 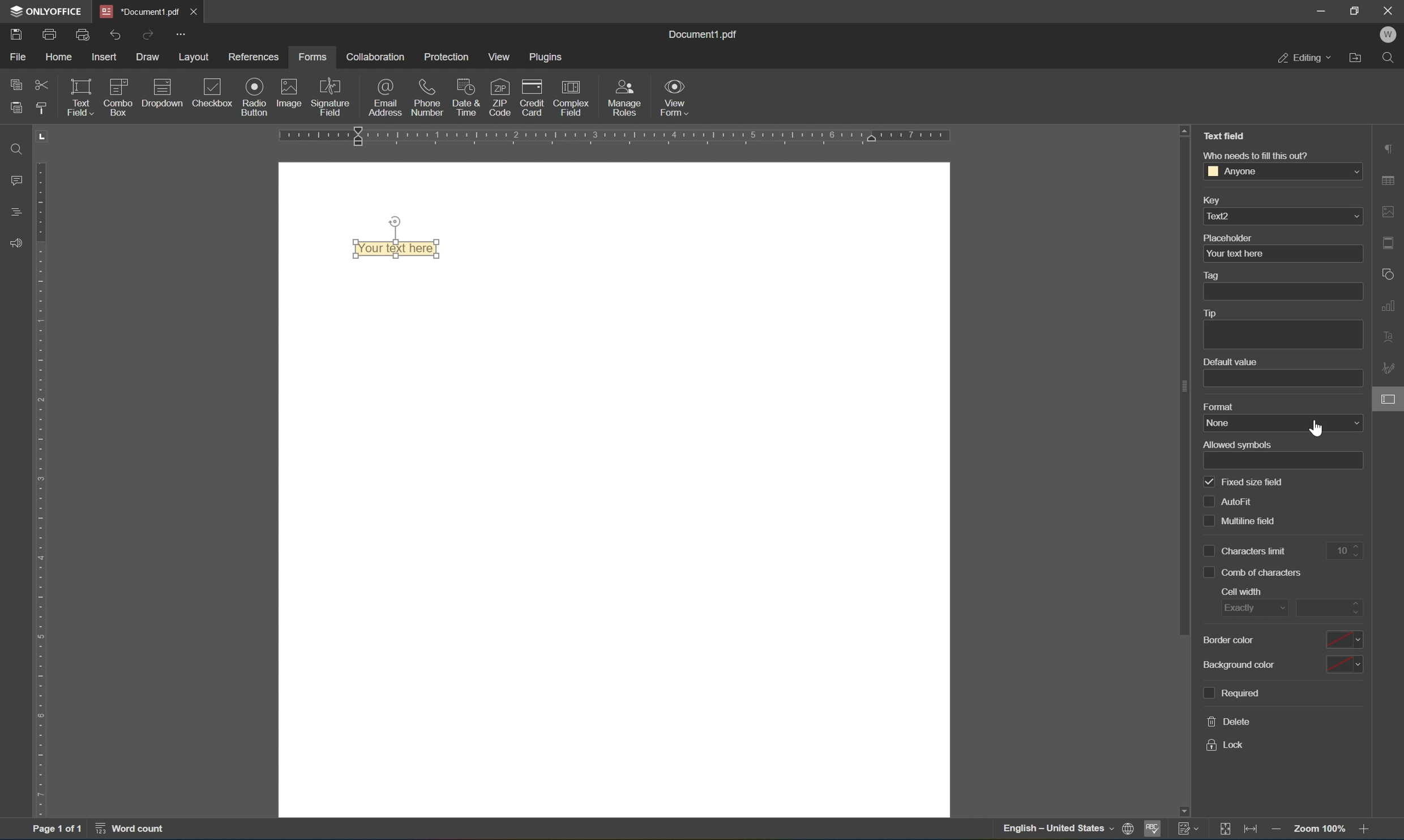 What do you see at coordinates (1067, 830) in the screenshot?
I see `set document language` at bounding box center [1067, 830].